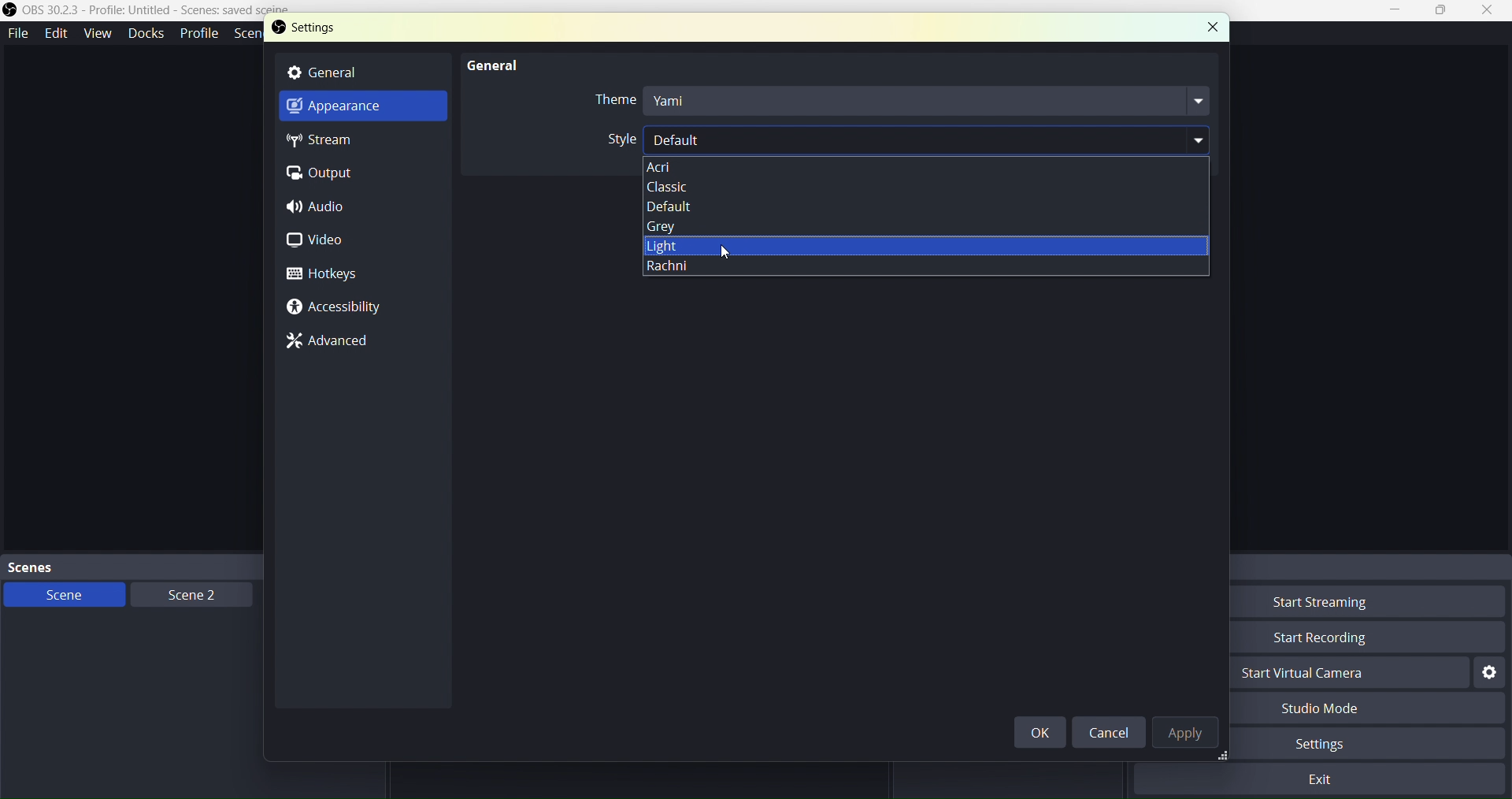 The height and width of the screenshot is (799, 1512). What do you see at coordinates (353, 110) in the screenshot?
I see `Appereance` at bounding box center [353, 110].